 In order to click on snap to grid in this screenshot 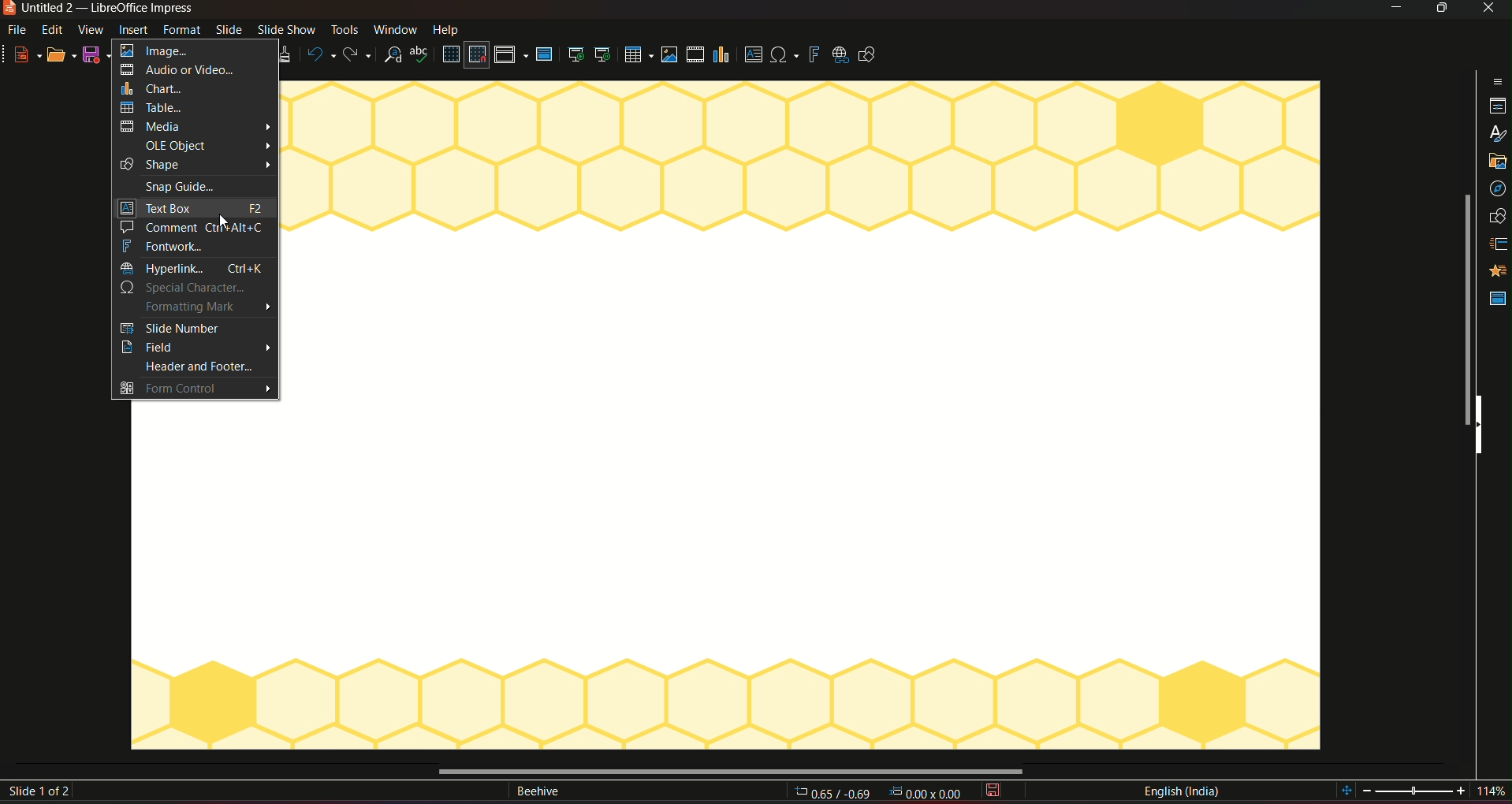, I will do `click(478, 55)`.